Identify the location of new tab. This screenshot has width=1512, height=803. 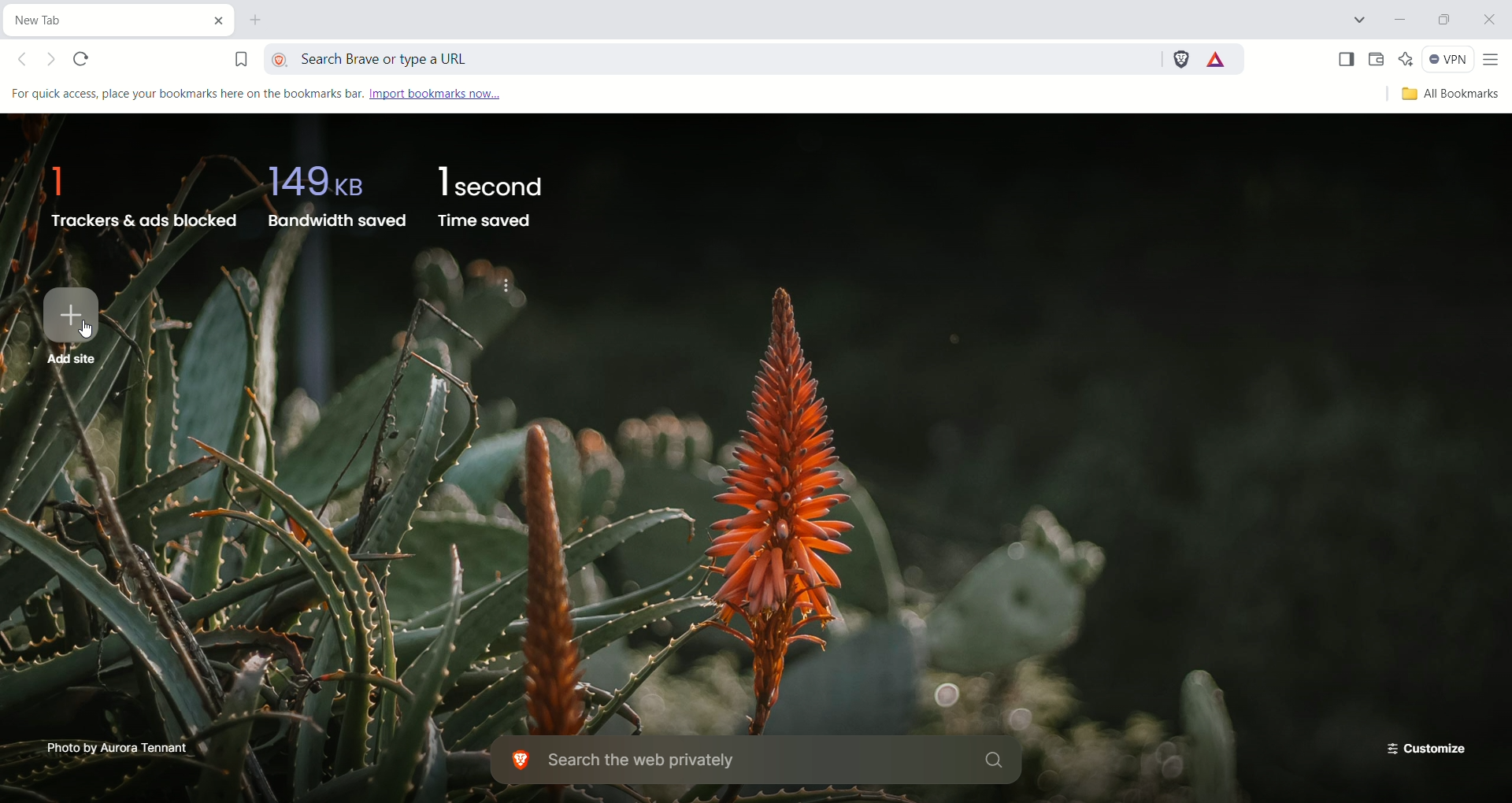
(258, 22).